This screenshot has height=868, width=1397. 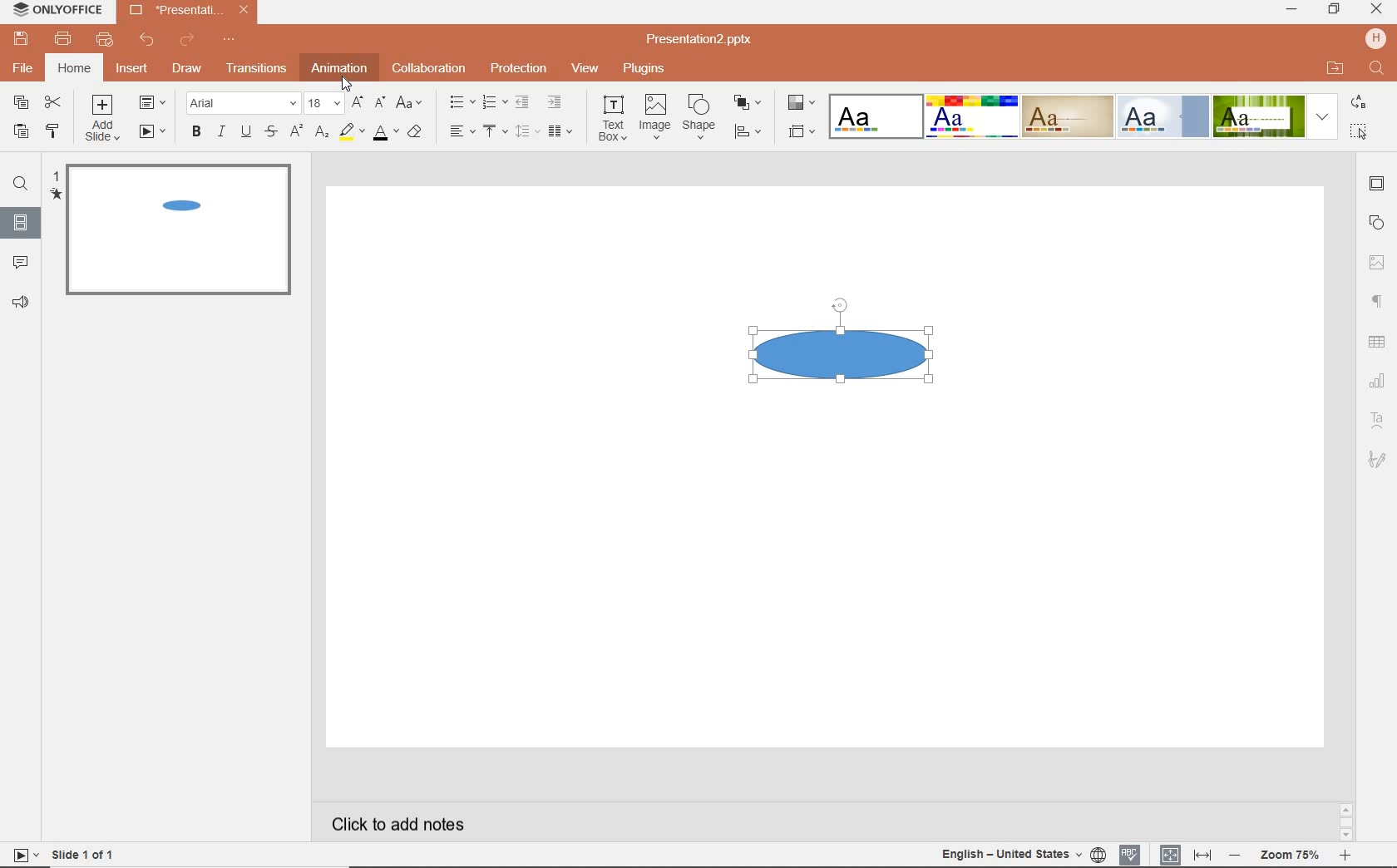 What do you see at coordinates (418, 133) in the screenshot?
I see `CLEAR STYLE` at bounding box center [418, 133].